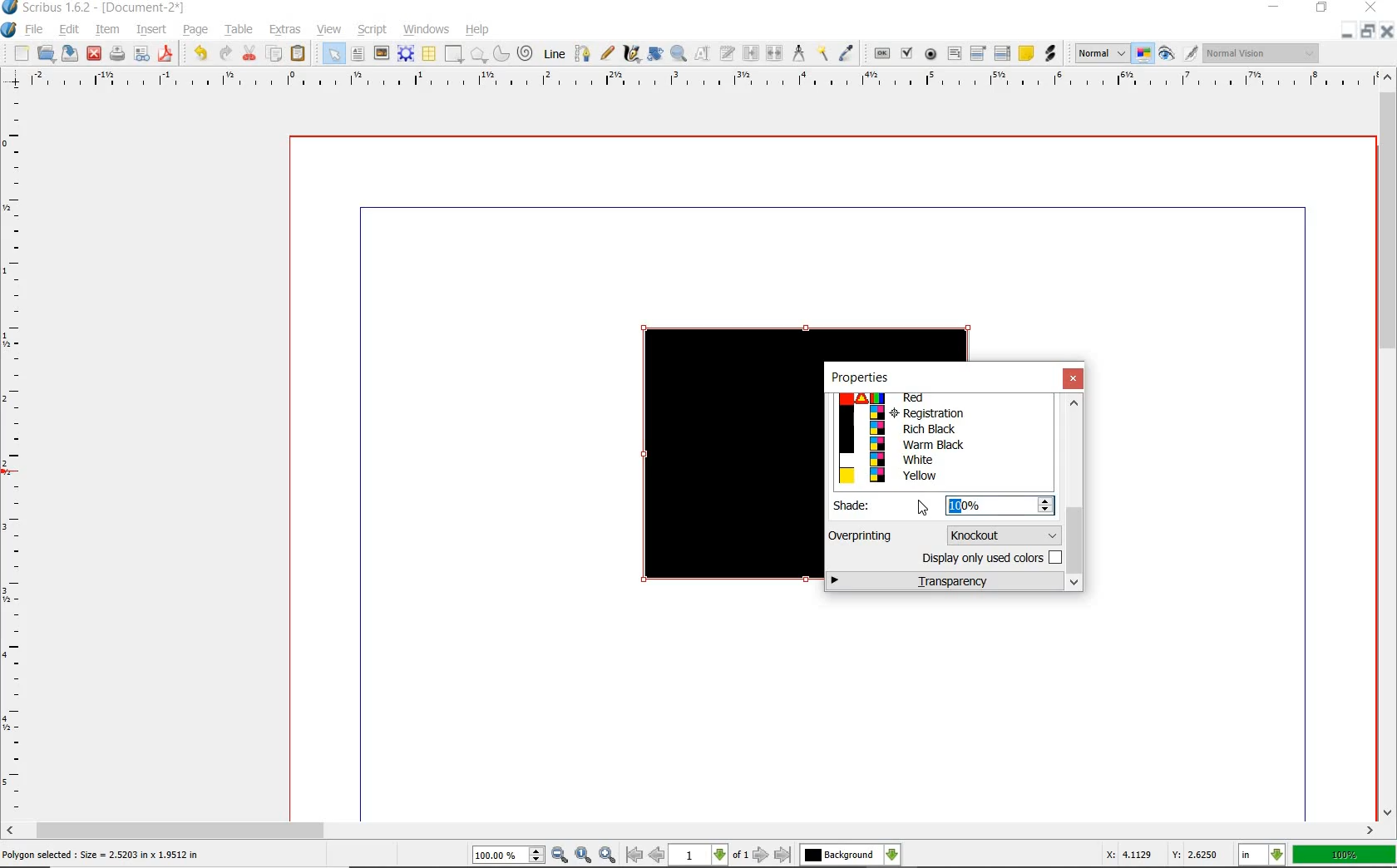 Image resolution: width=1397 pixels, height=868 pixels. What do you see at coordinates (167, 54) in the screenshot?
I see `save as pdf` at bounding box center [167, 54].